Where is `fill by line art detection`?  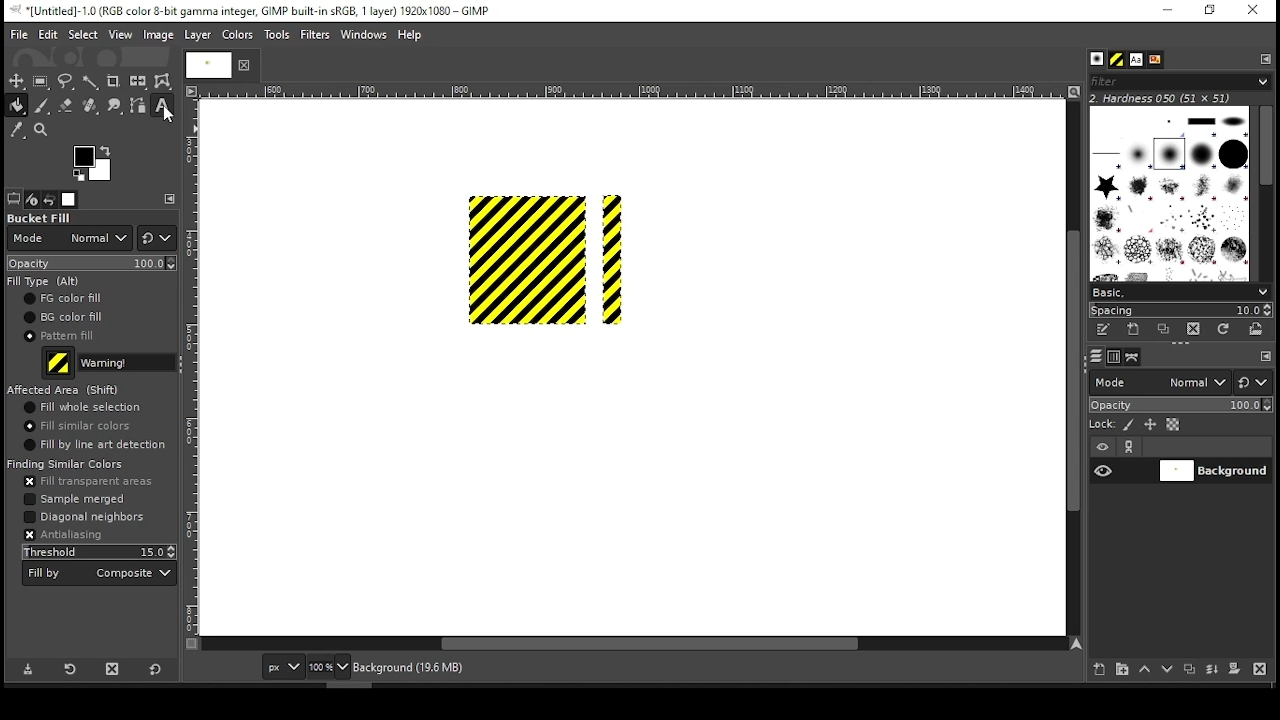
fill by line art detection is located at coordinates (99, 446).